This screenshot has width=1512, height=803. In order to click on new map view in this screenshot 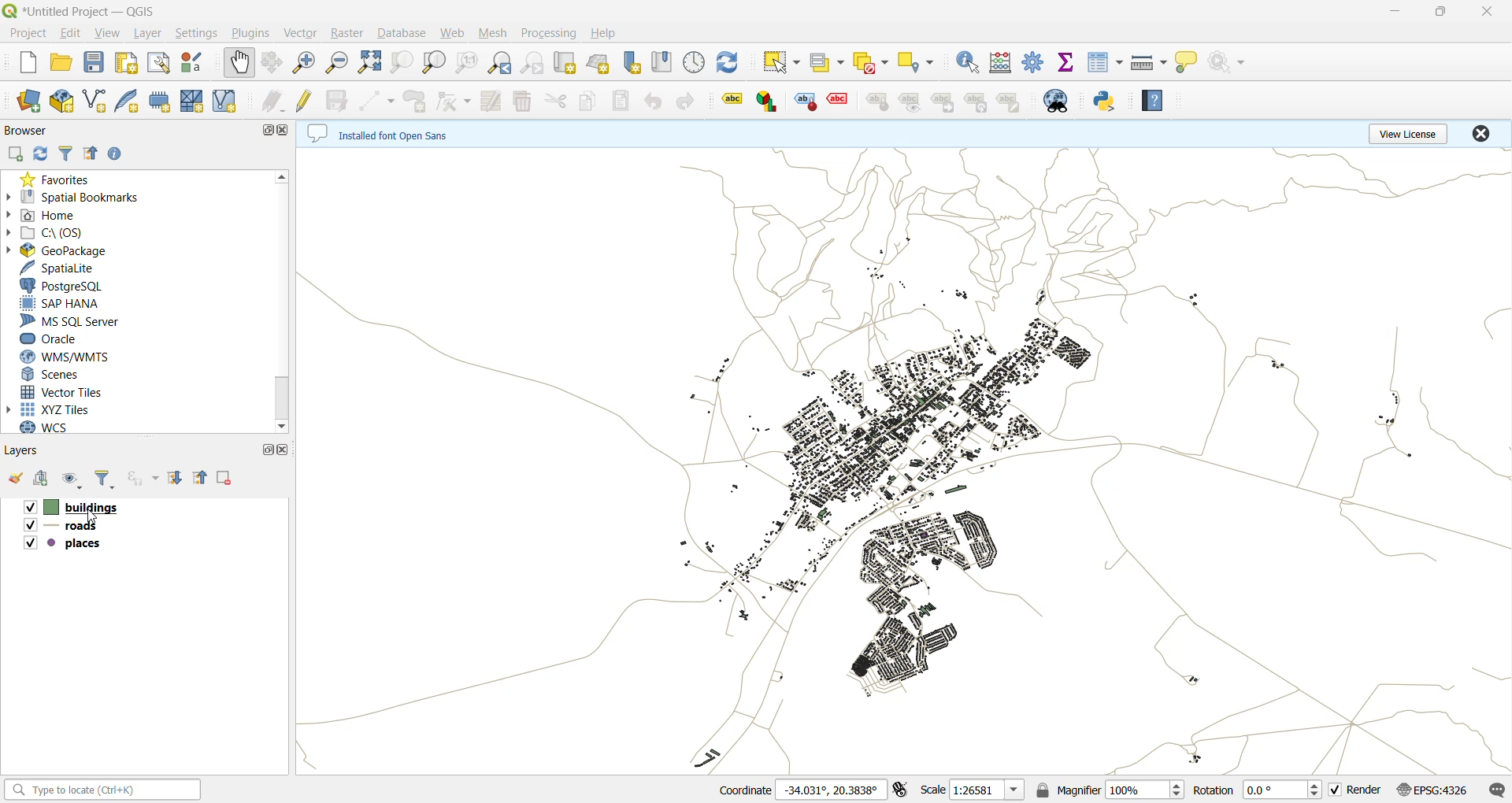, I will do `click(565, 64)`.